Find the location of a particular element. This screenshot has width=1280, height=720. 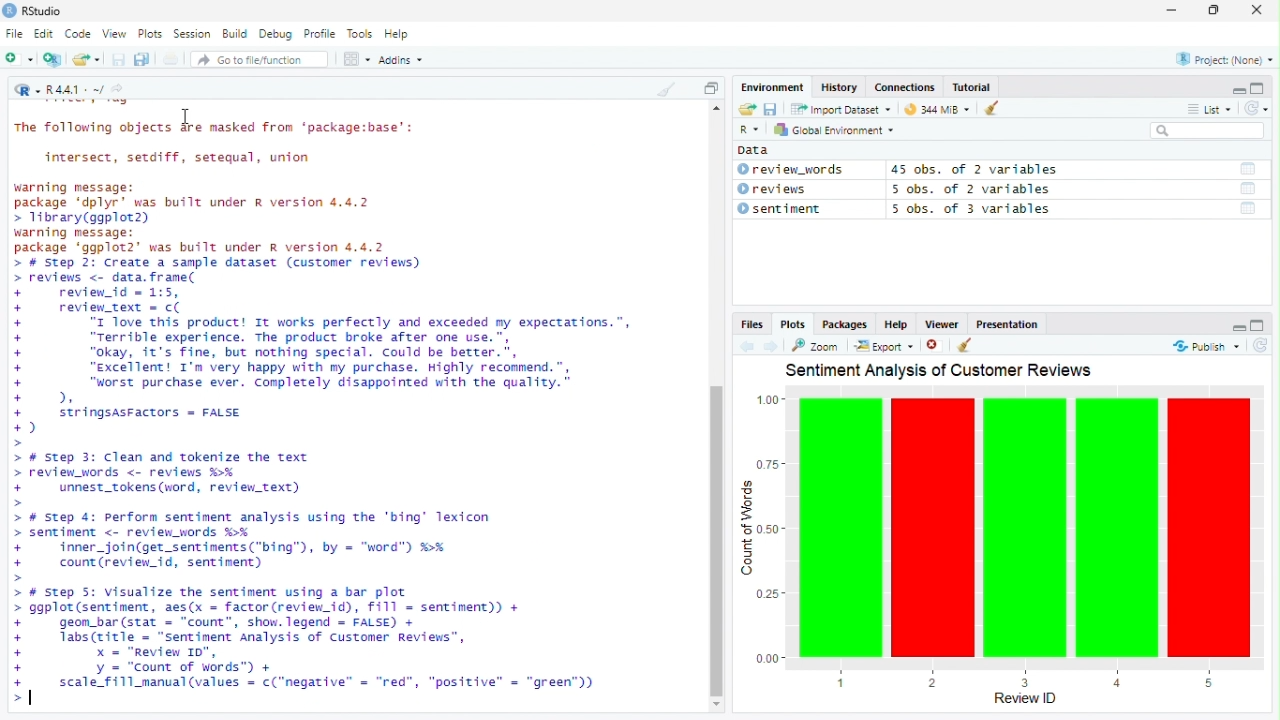

Create new project is located at coordinates (53, 59).